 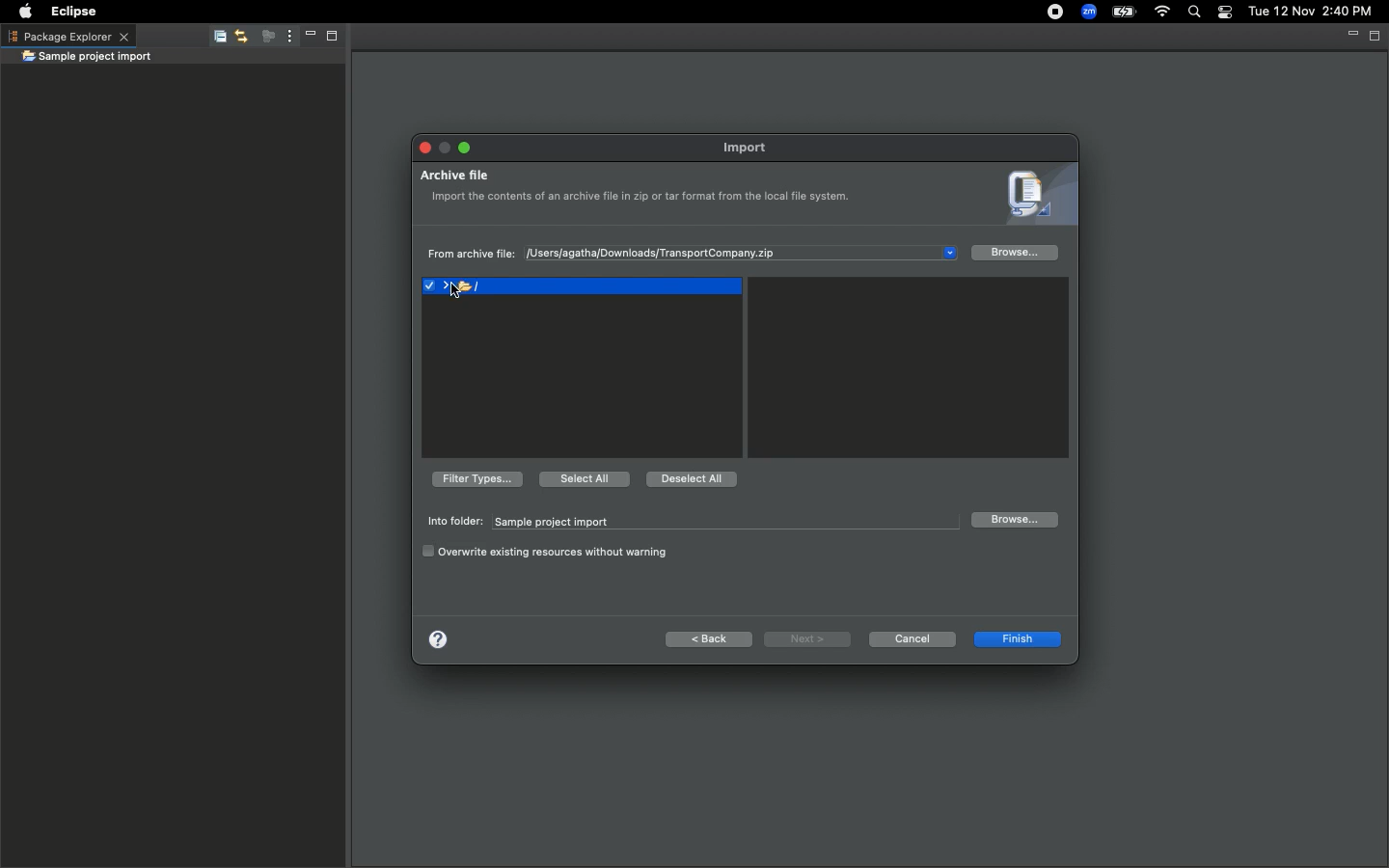 What do you see at coordinates (1047, 14) in the screenshot?
I see `Recording` at bounding box center [1047, 14].